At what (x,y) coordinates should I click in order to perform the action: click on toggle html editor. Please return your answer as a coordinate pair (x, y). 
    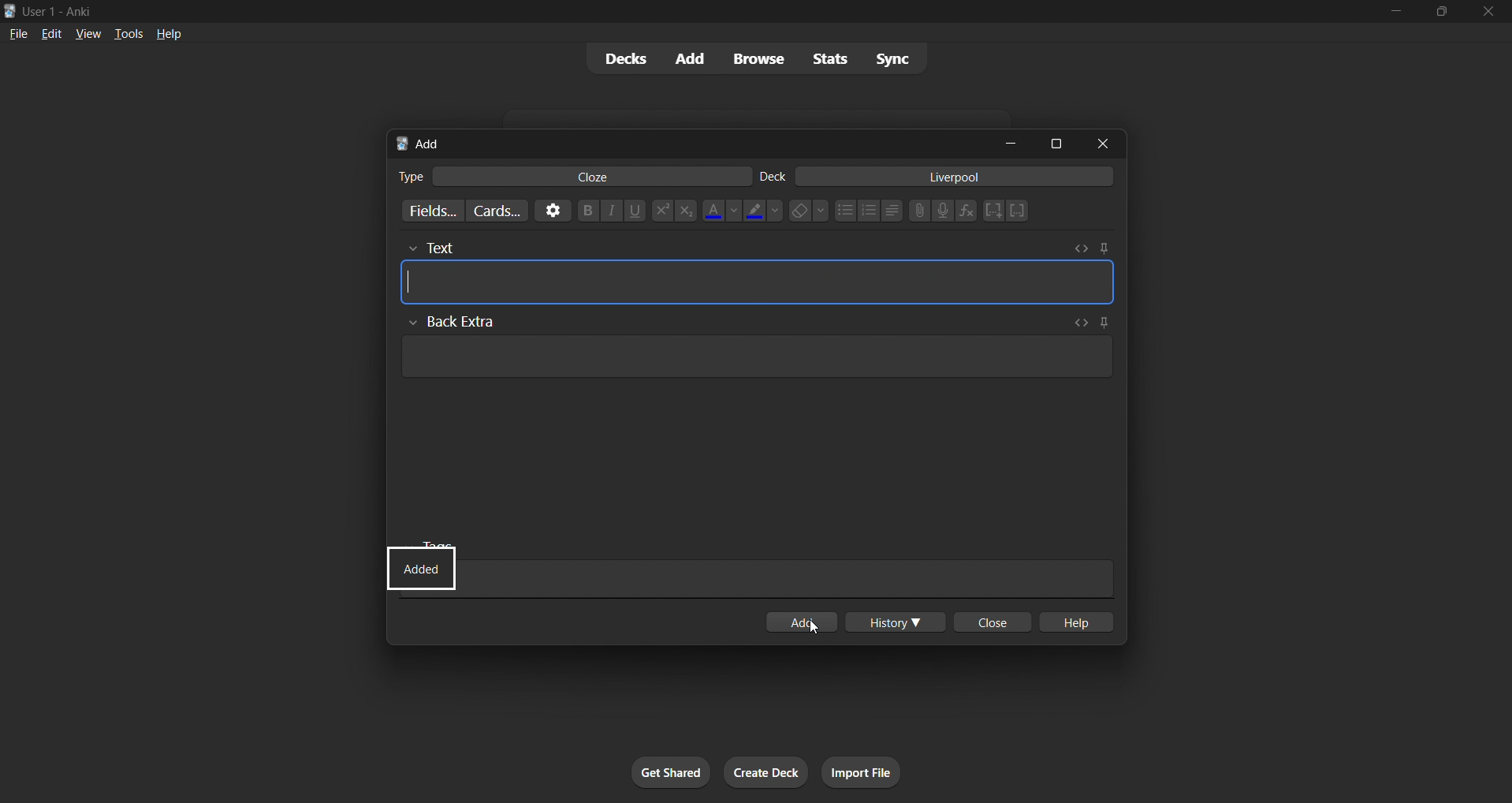
    Looking at the image, I should click on (1084, 248).